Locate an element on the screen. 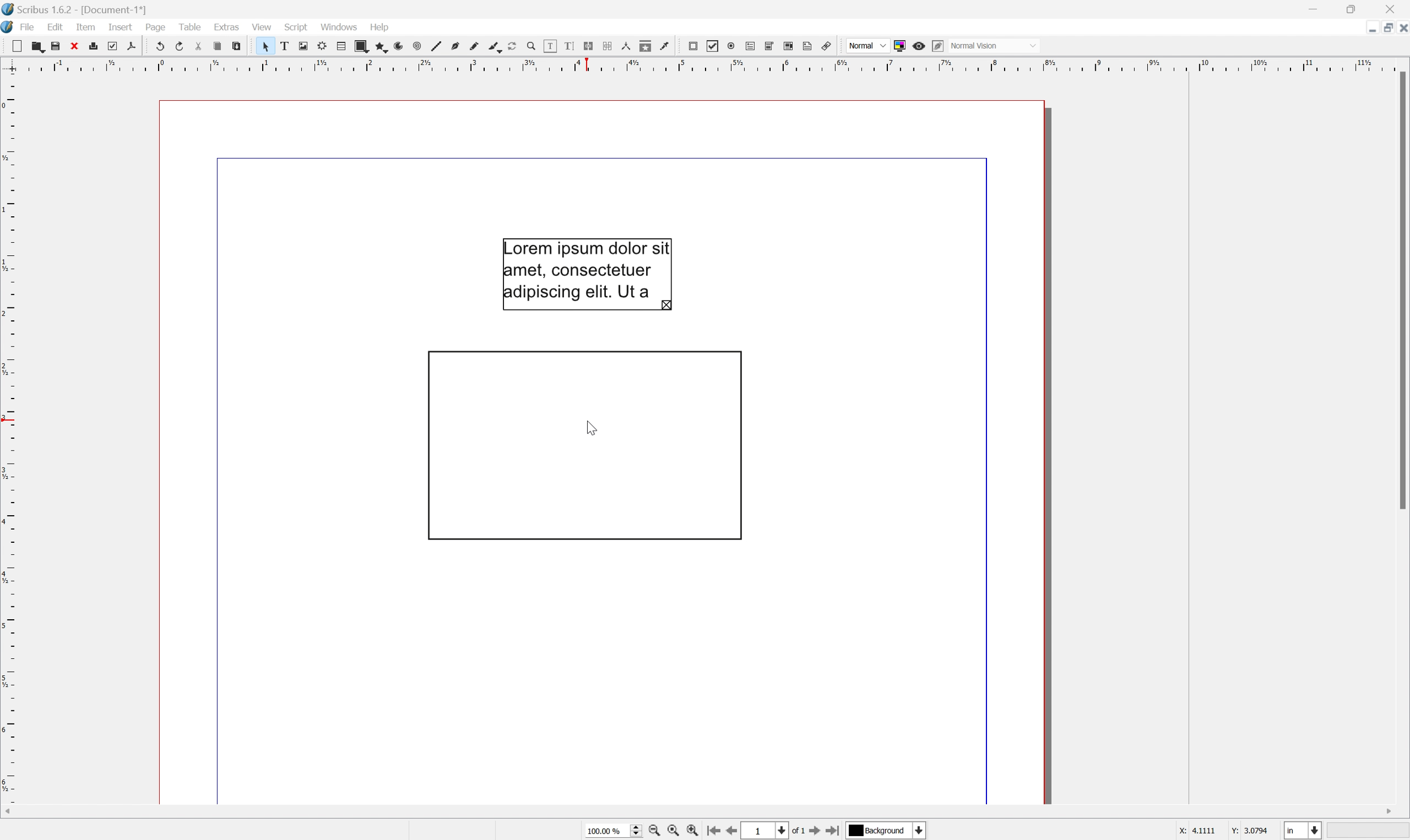  Extras is located at coordinates (227, 28).